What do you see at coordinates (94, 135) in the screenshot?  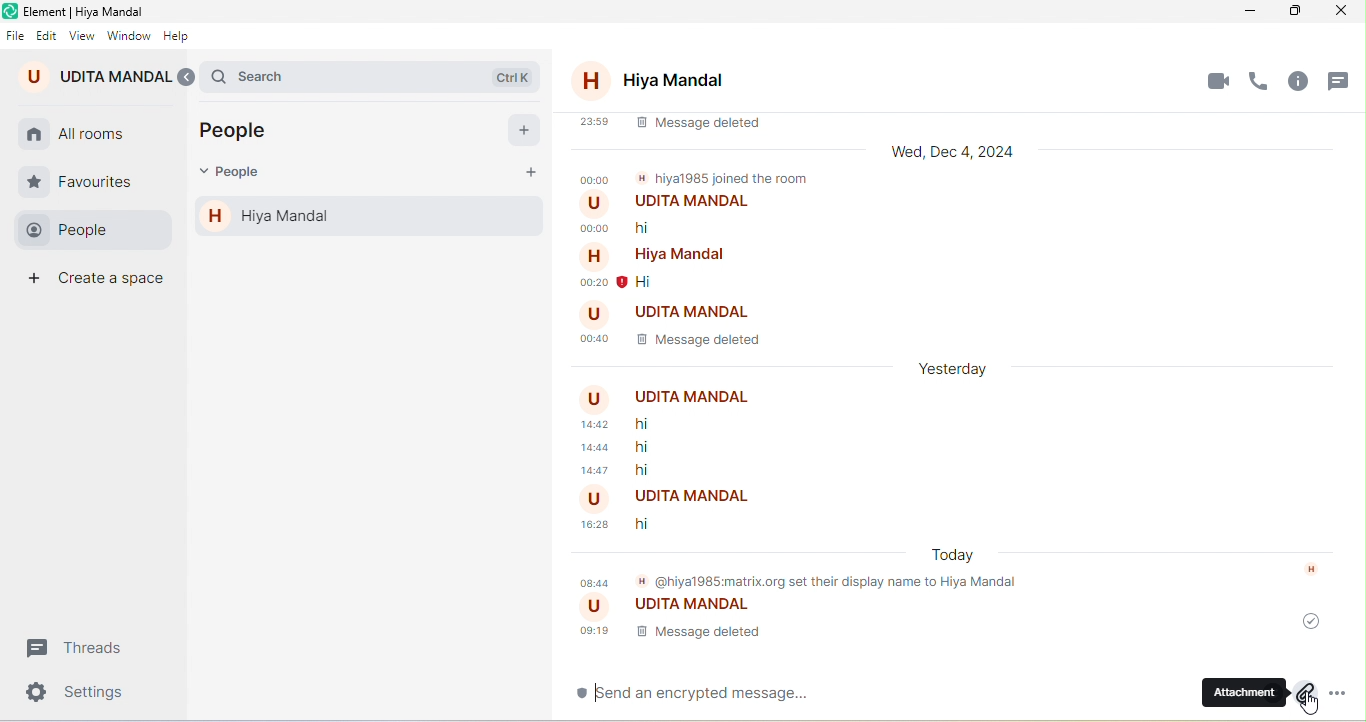 I see `all rooms` at bounding box center [94, 135].